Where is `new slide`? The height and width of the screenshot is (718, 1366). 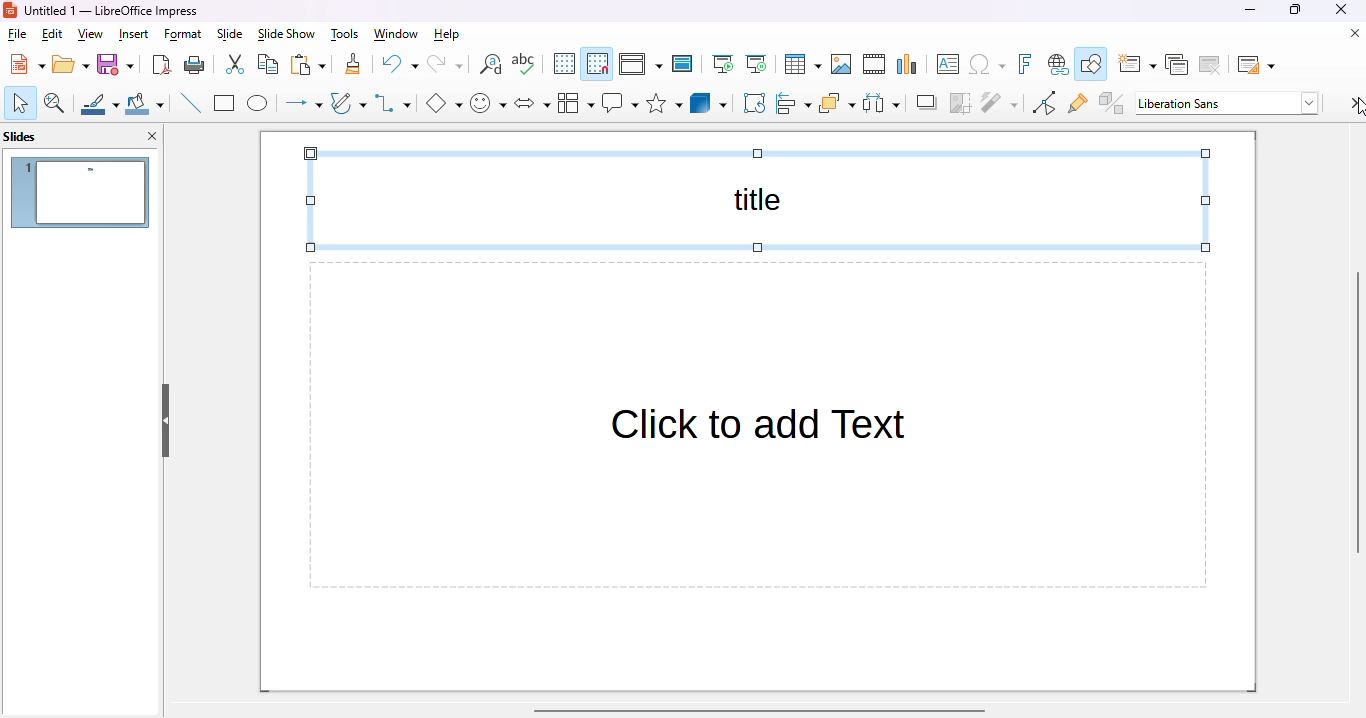
new slide is located at coordinates (1137, 64).